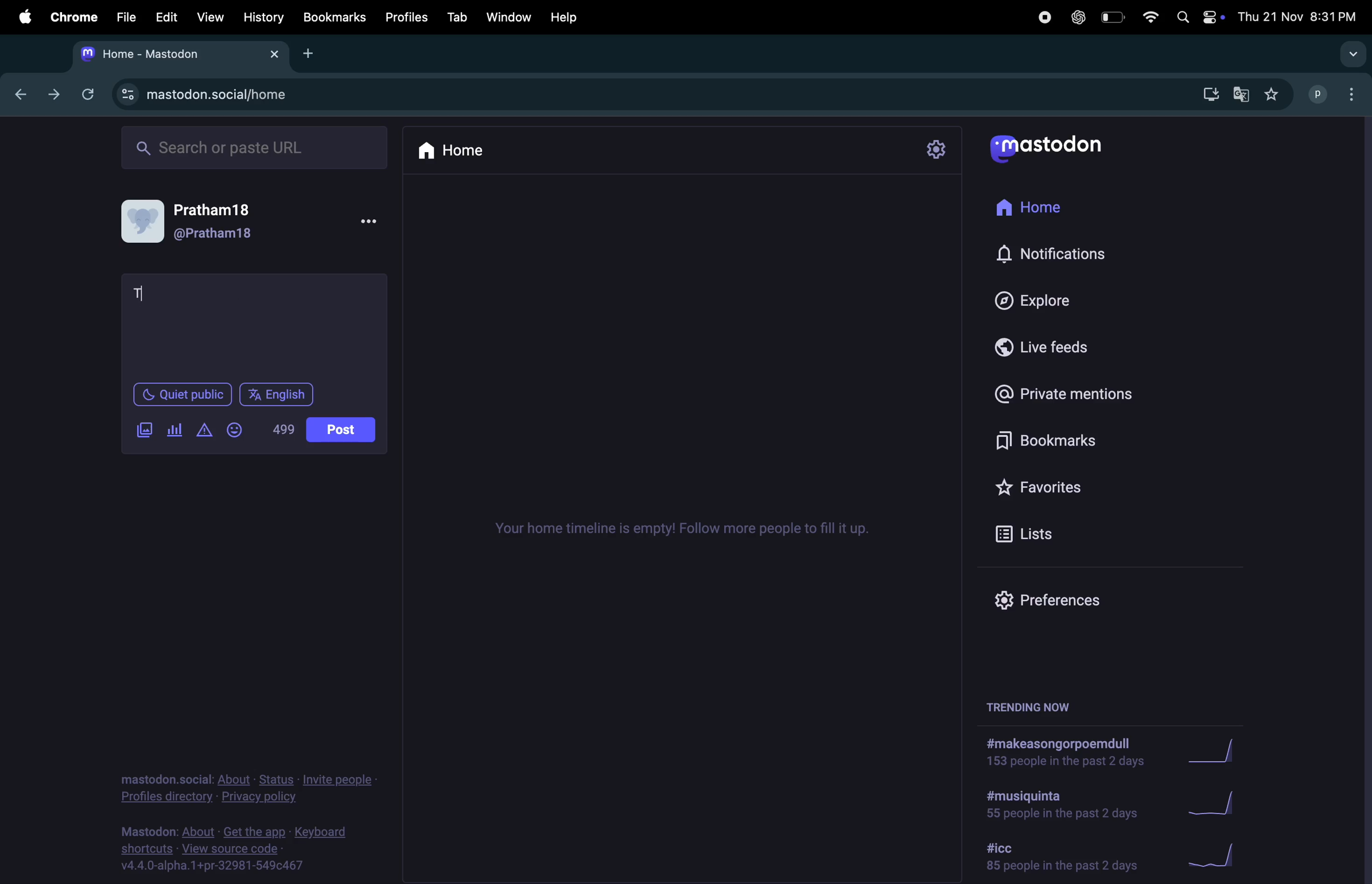 The width and height of the screenshot is (1372, 884). Describe the element at coordinates (333, 15) in the screenshot. I see `book marks` at that location.